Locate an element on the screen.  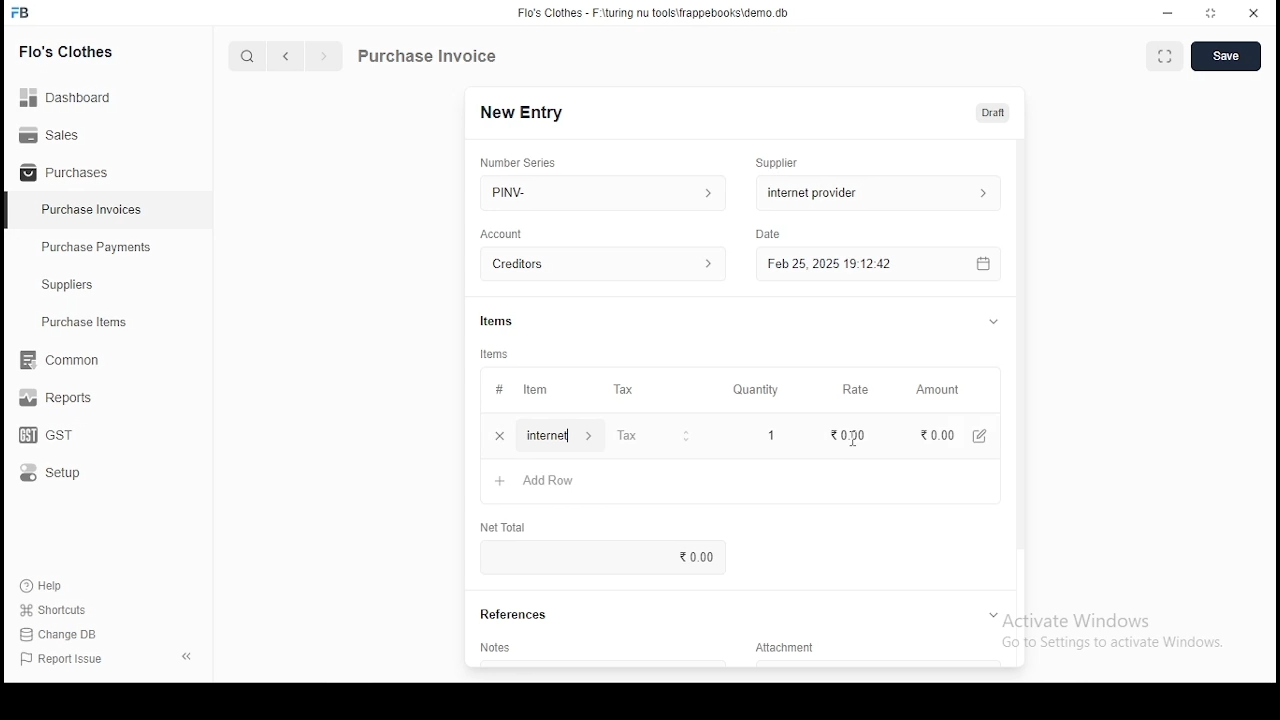
add row is located at coordinates (551, 436).